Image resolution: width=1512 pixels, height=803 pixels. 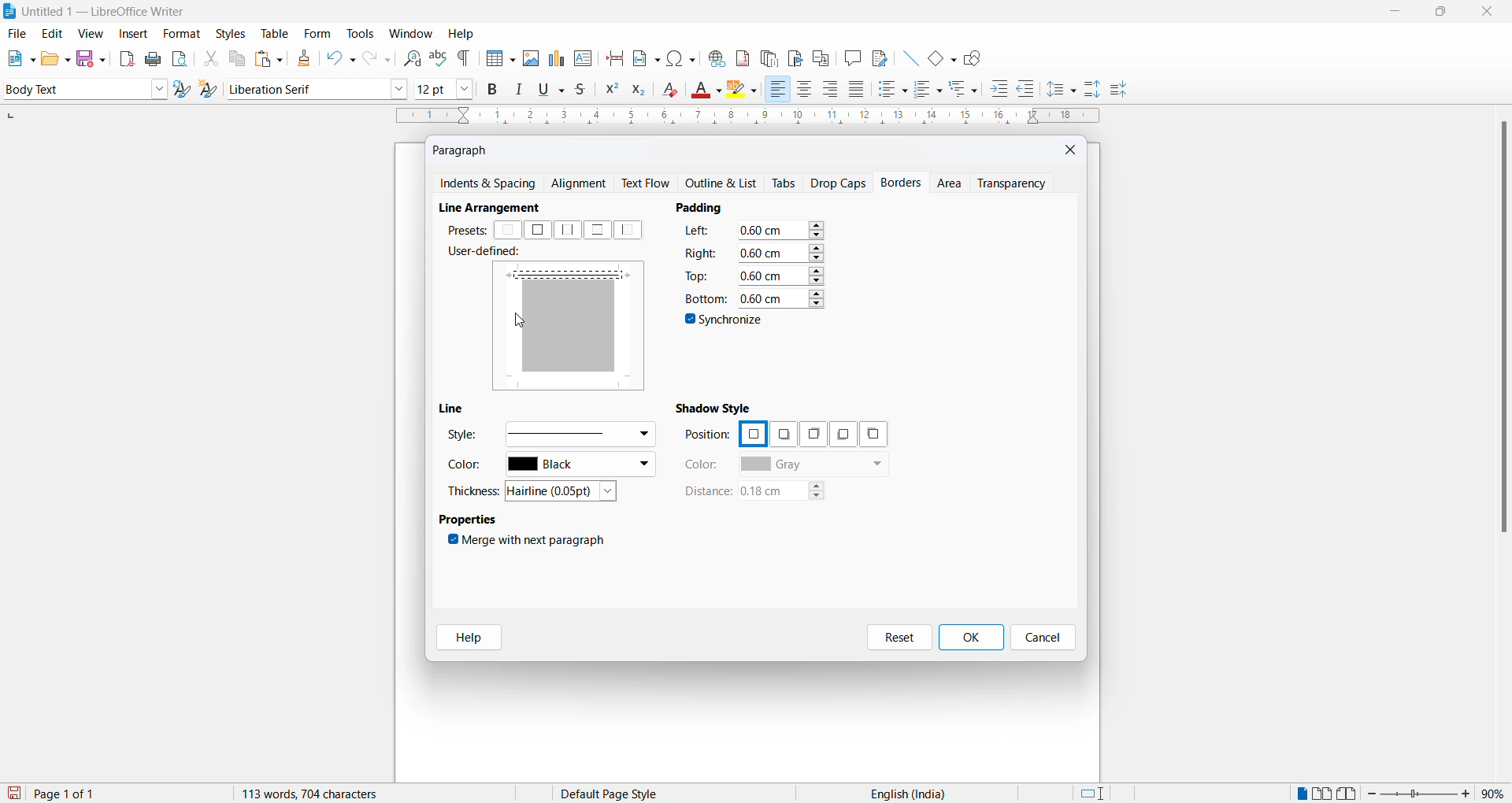 What do you see at coordinates (465, 58) in the screenshot?
I see `toggle formatting marks` at bounding box center [465, 58].